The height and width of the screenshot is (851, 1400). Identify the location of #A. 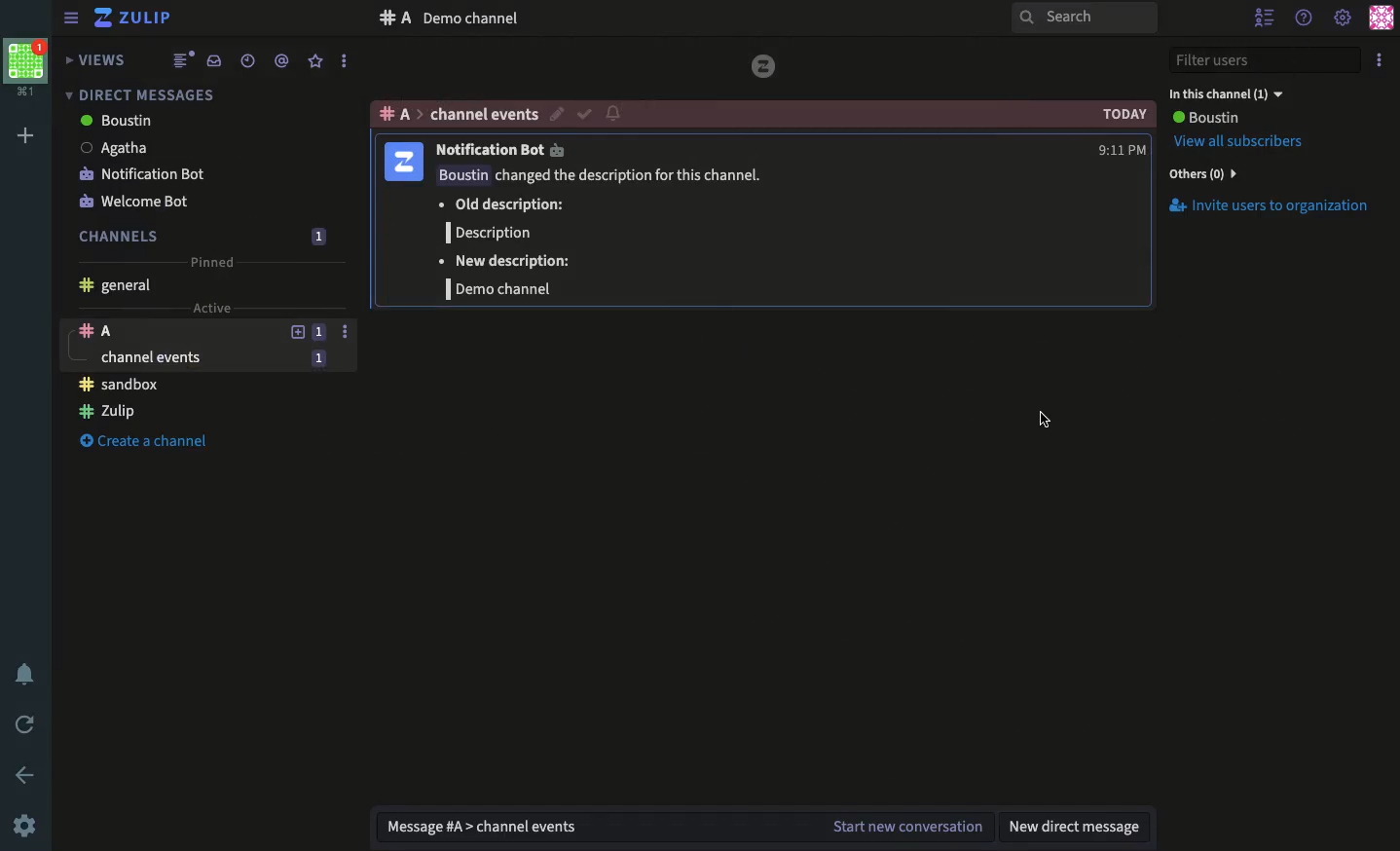
(392, 18).